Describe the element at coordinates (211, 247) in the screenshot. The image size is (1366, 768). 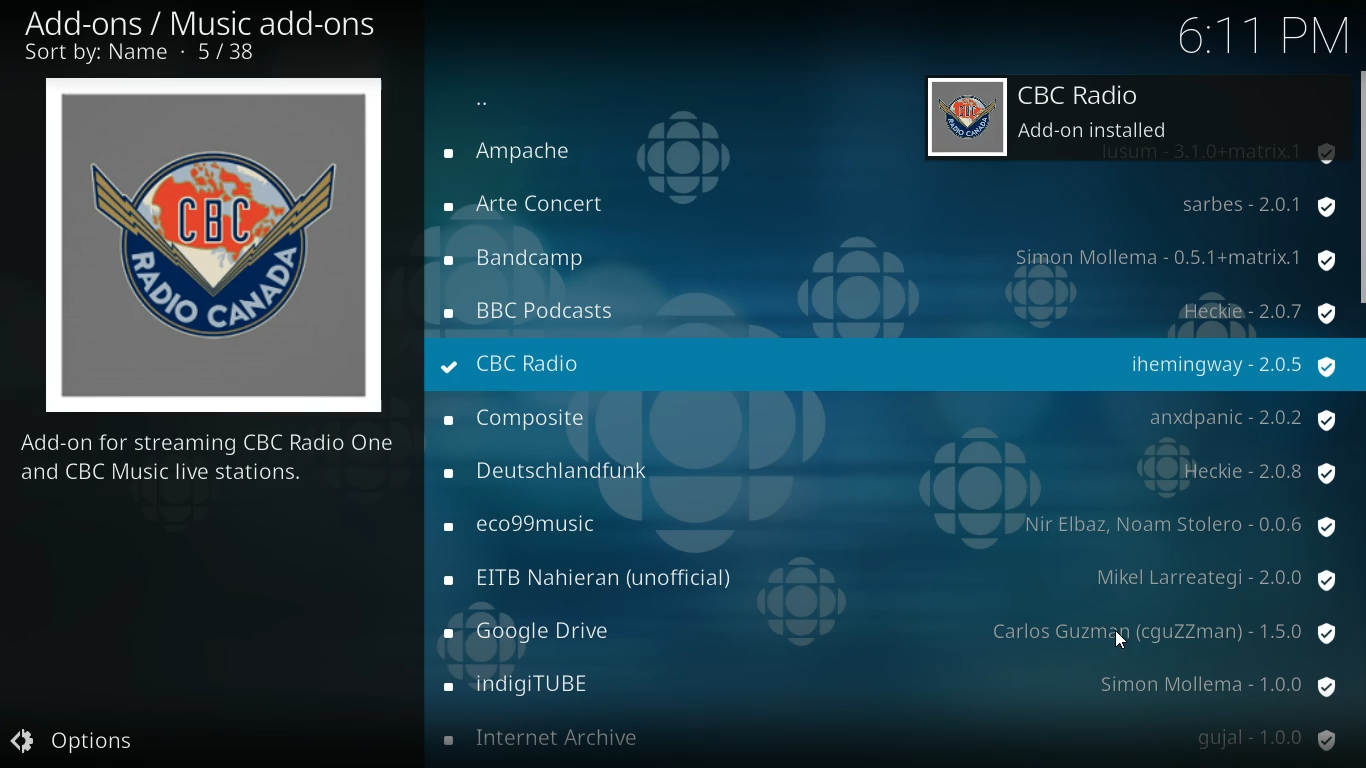
I see `radio logo` at that location.